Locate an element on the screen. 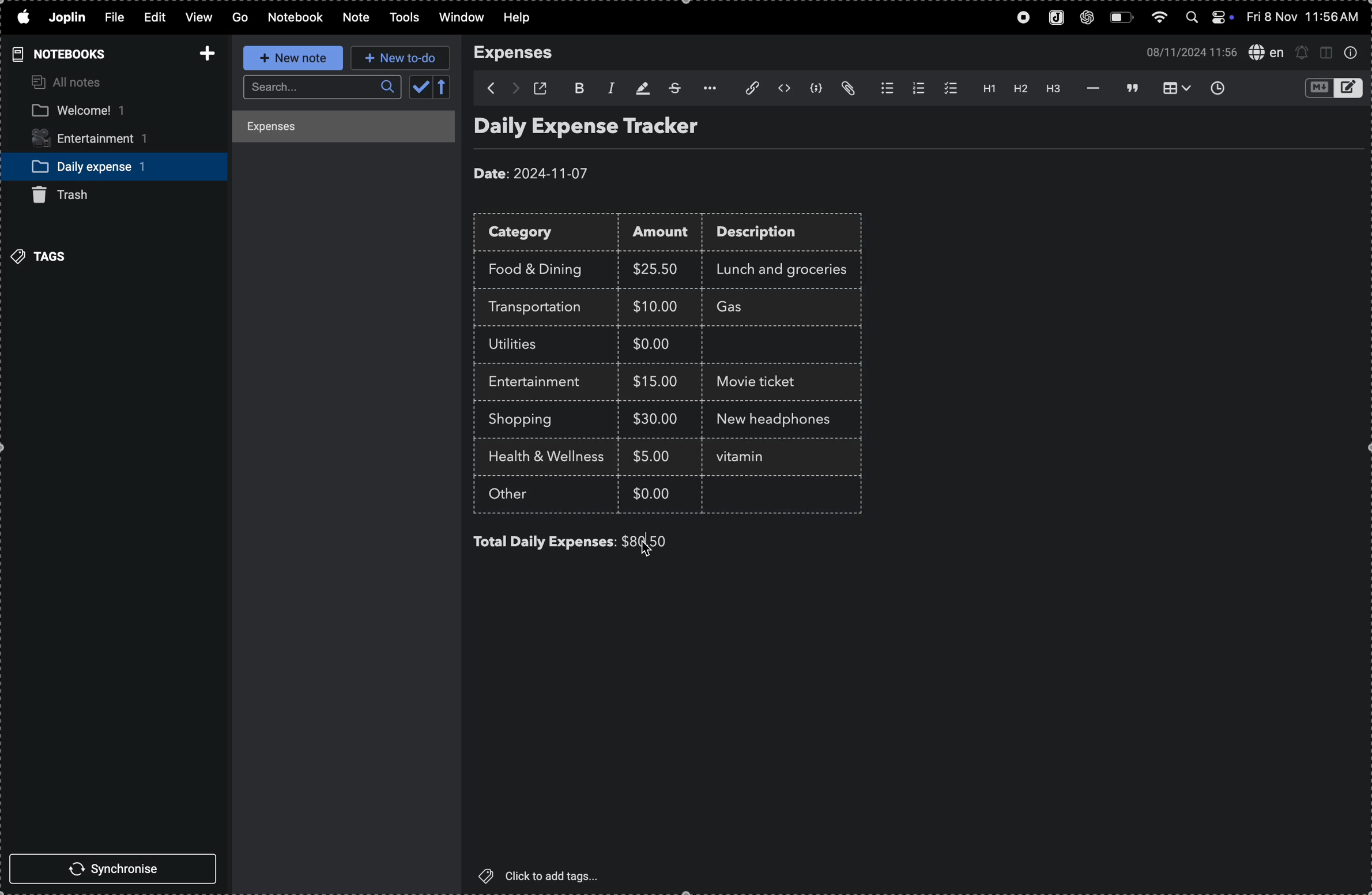 Image resolution: width=1372 pixels, height=895 pixels. health and wellness is located at coordinates (552, 458).